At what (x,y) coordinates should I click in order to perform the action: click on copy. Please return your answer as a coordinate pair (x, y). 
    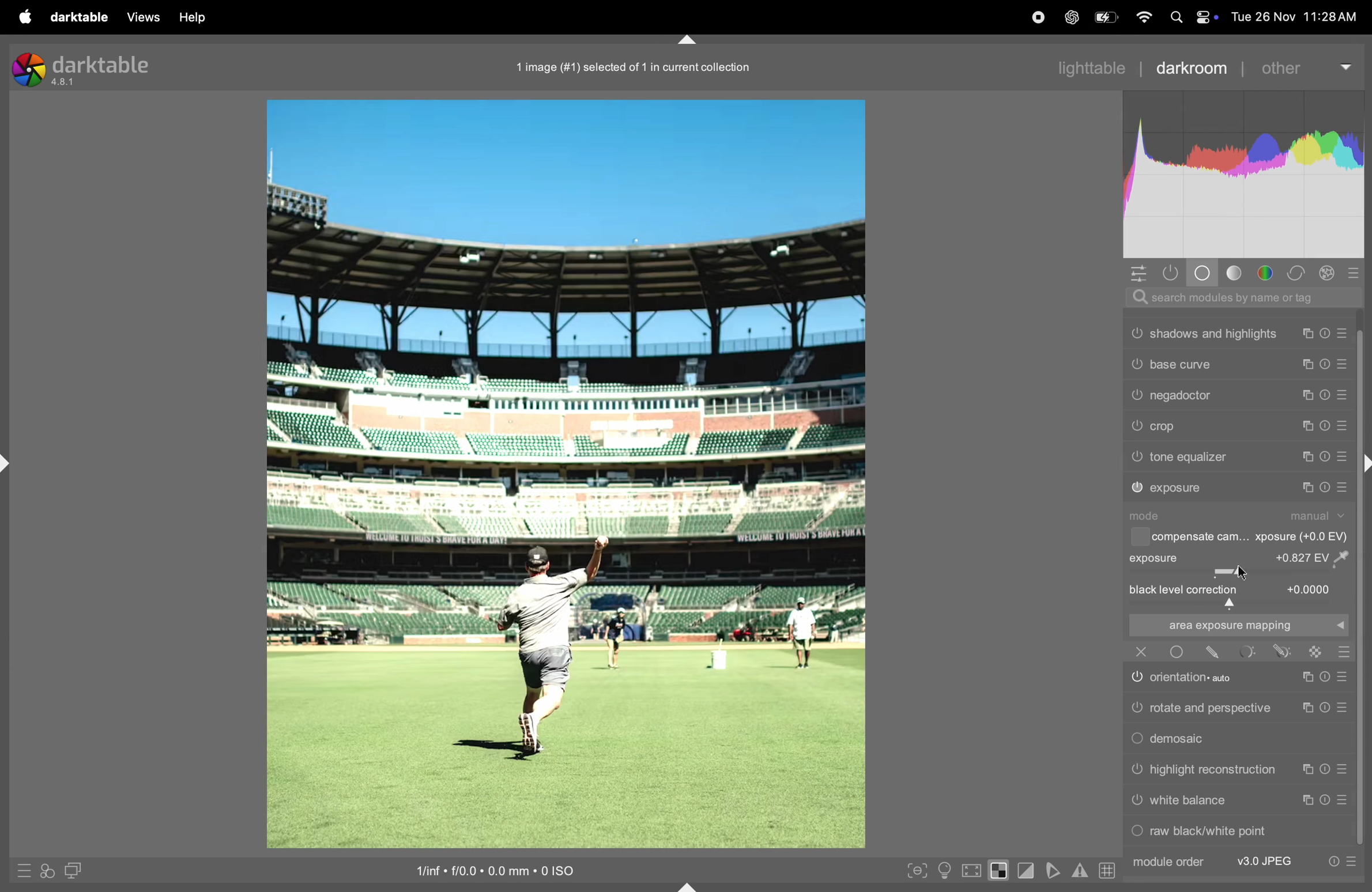
    Looking at the image, I should click on (1310, 395).